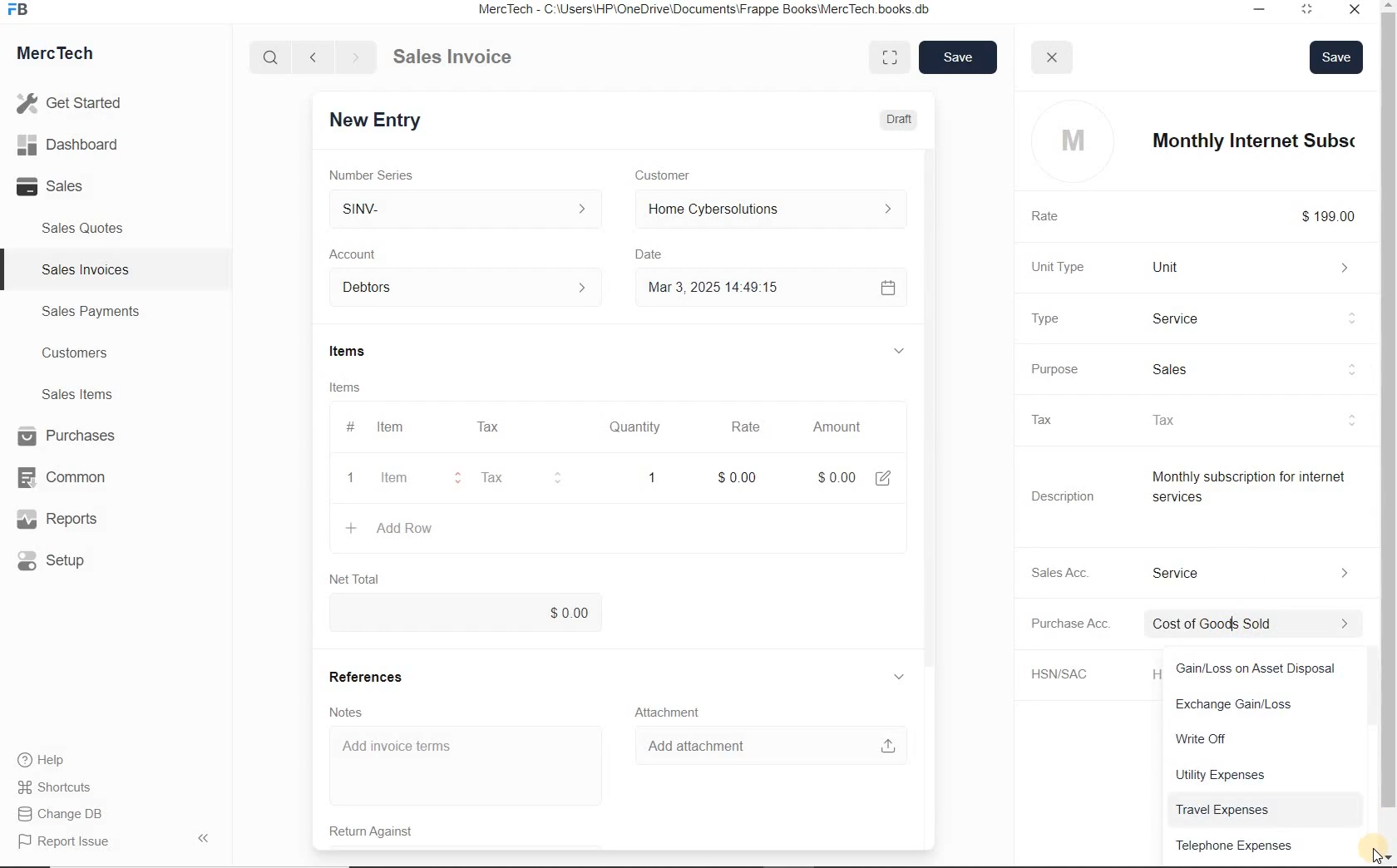  Describe the element at coordinates (63, 57) in the screenshot. I see `MercTech` at that location.